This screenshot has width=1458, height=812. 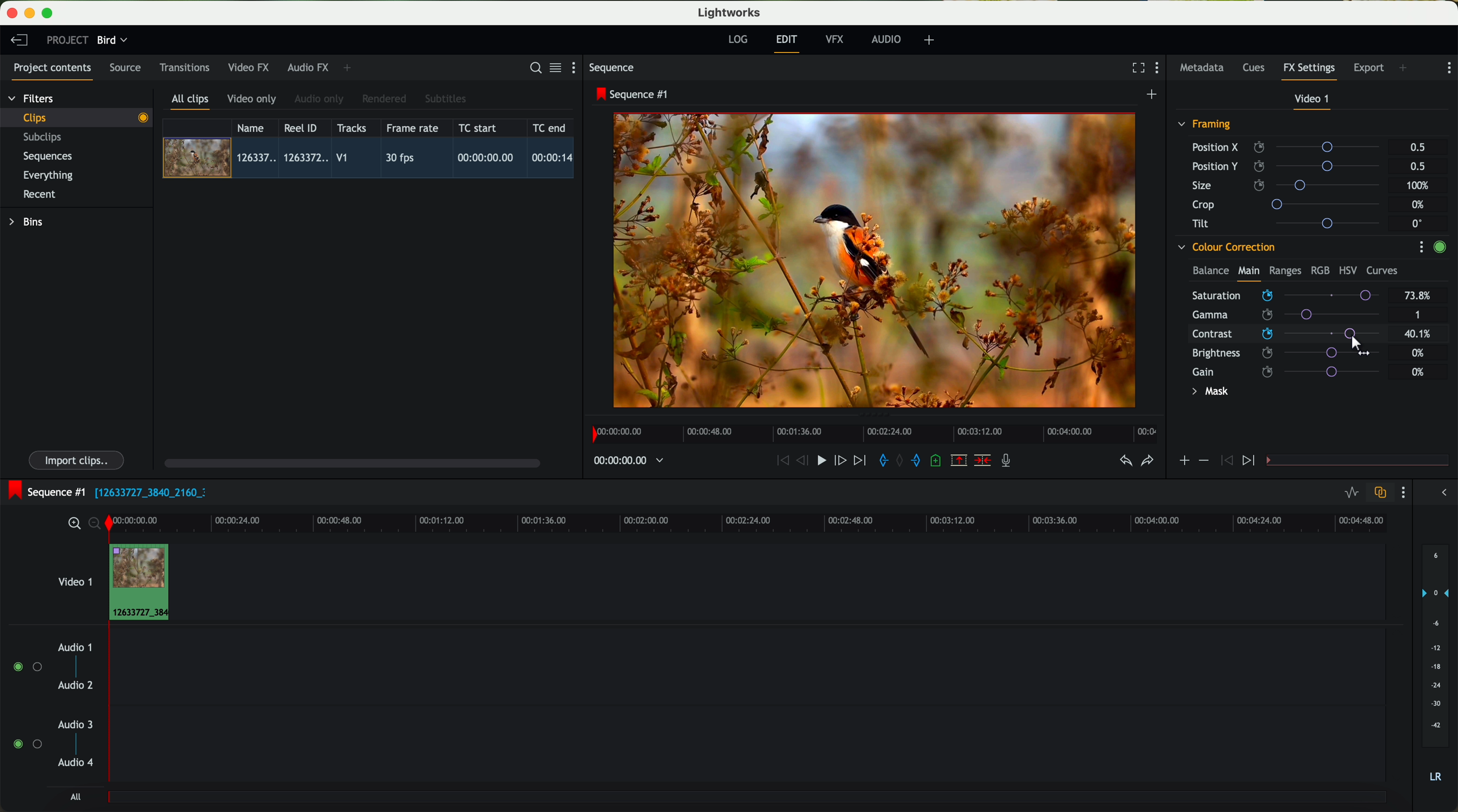 I want to click on minimize program, so click(x=32, y=14).